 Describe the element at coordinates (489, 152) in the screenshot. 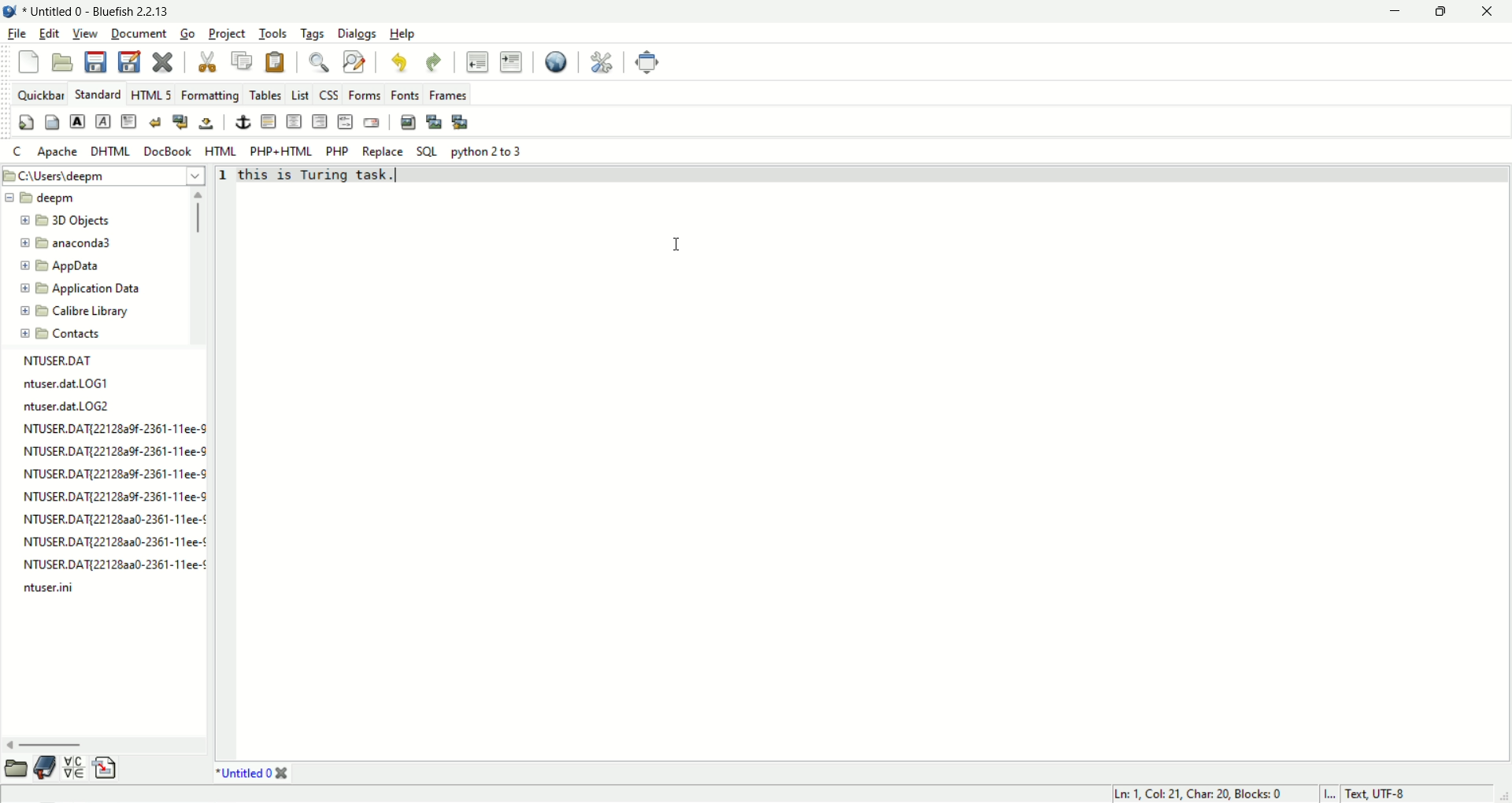

I see `python 2 to 3` at that location.